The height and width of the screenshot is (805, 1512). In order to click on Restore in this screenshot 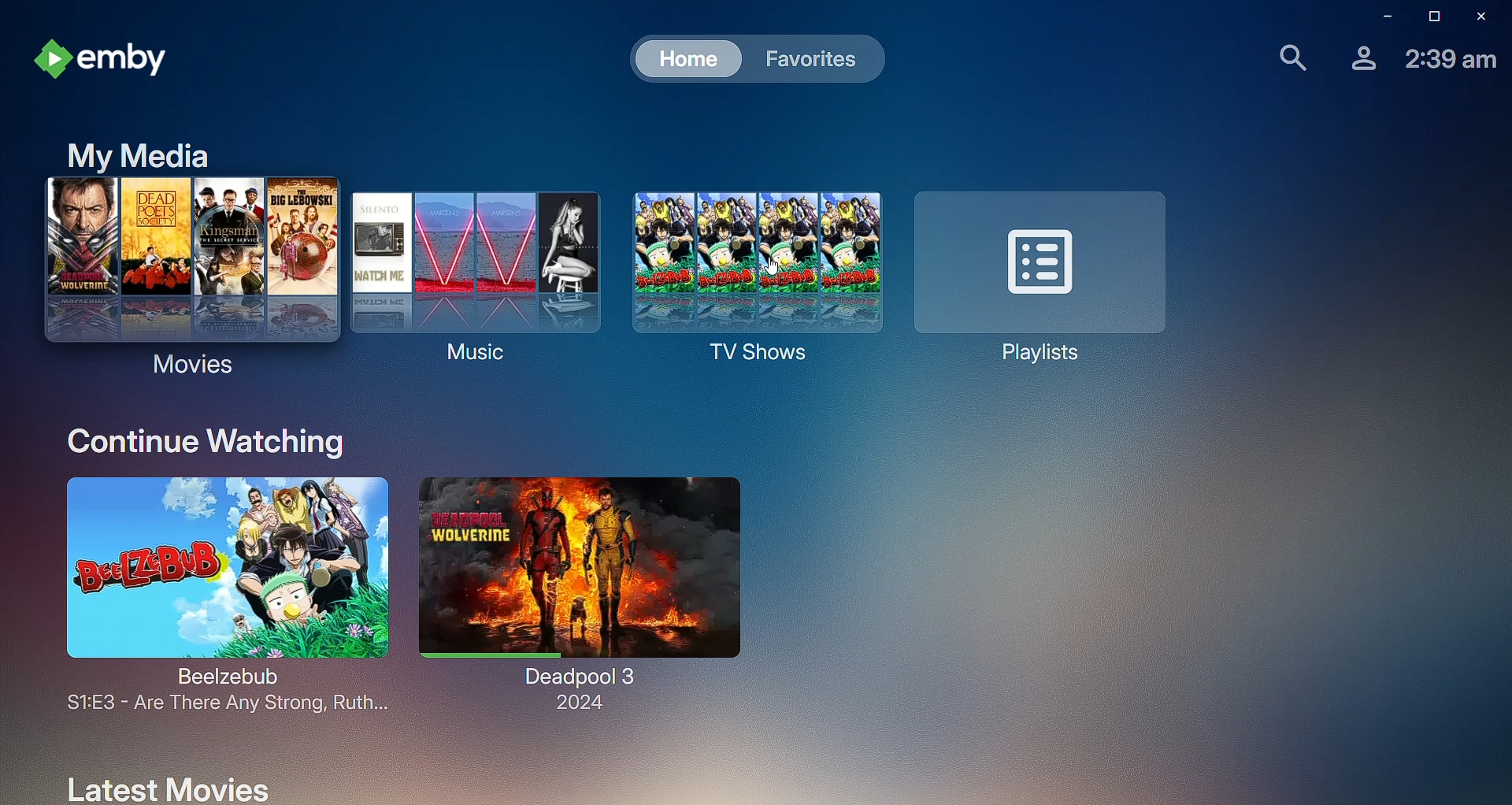, I will do `click(1425, 17)`.